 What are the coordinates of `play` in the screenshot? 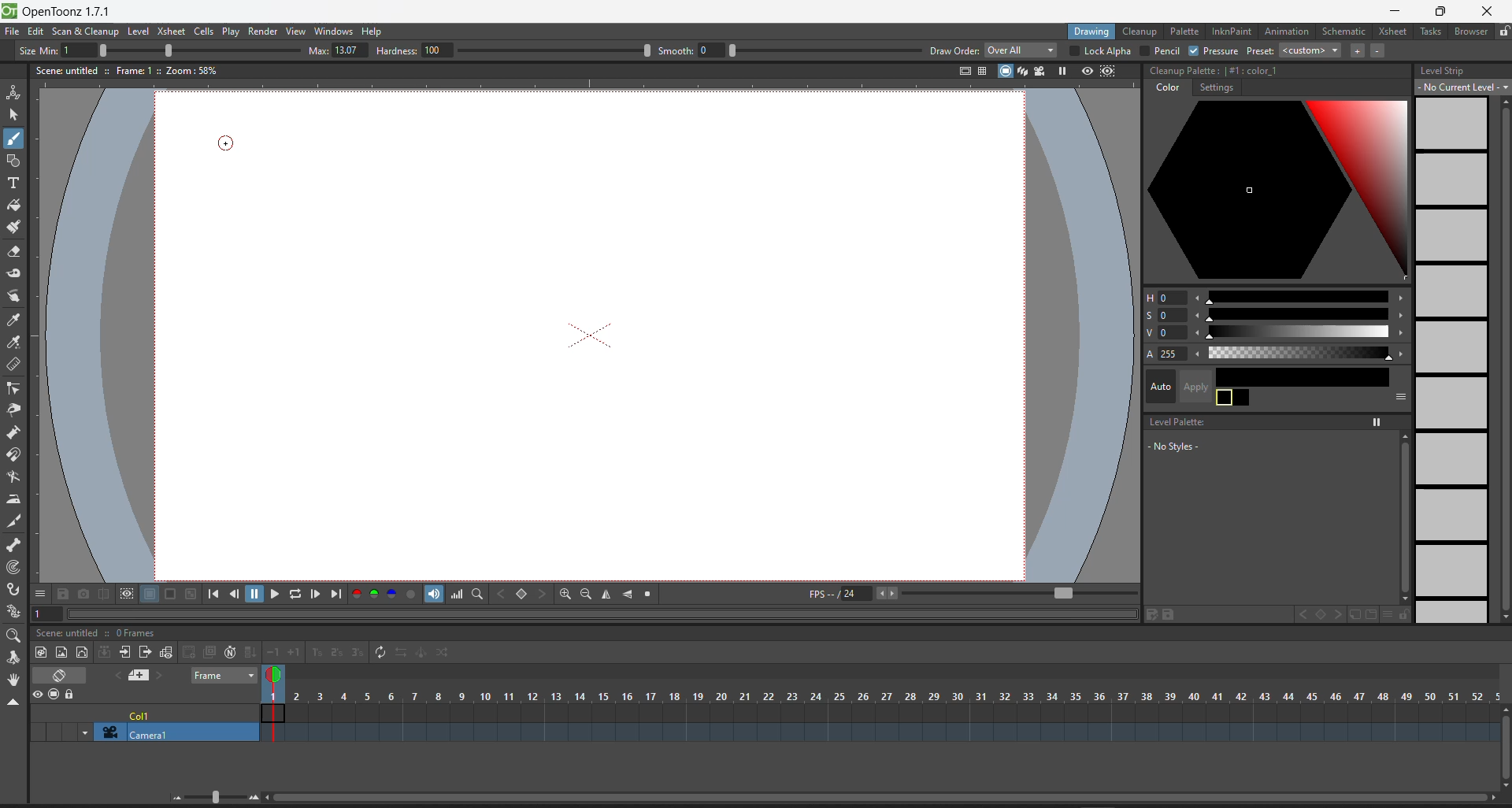 It's located at (276, 591).